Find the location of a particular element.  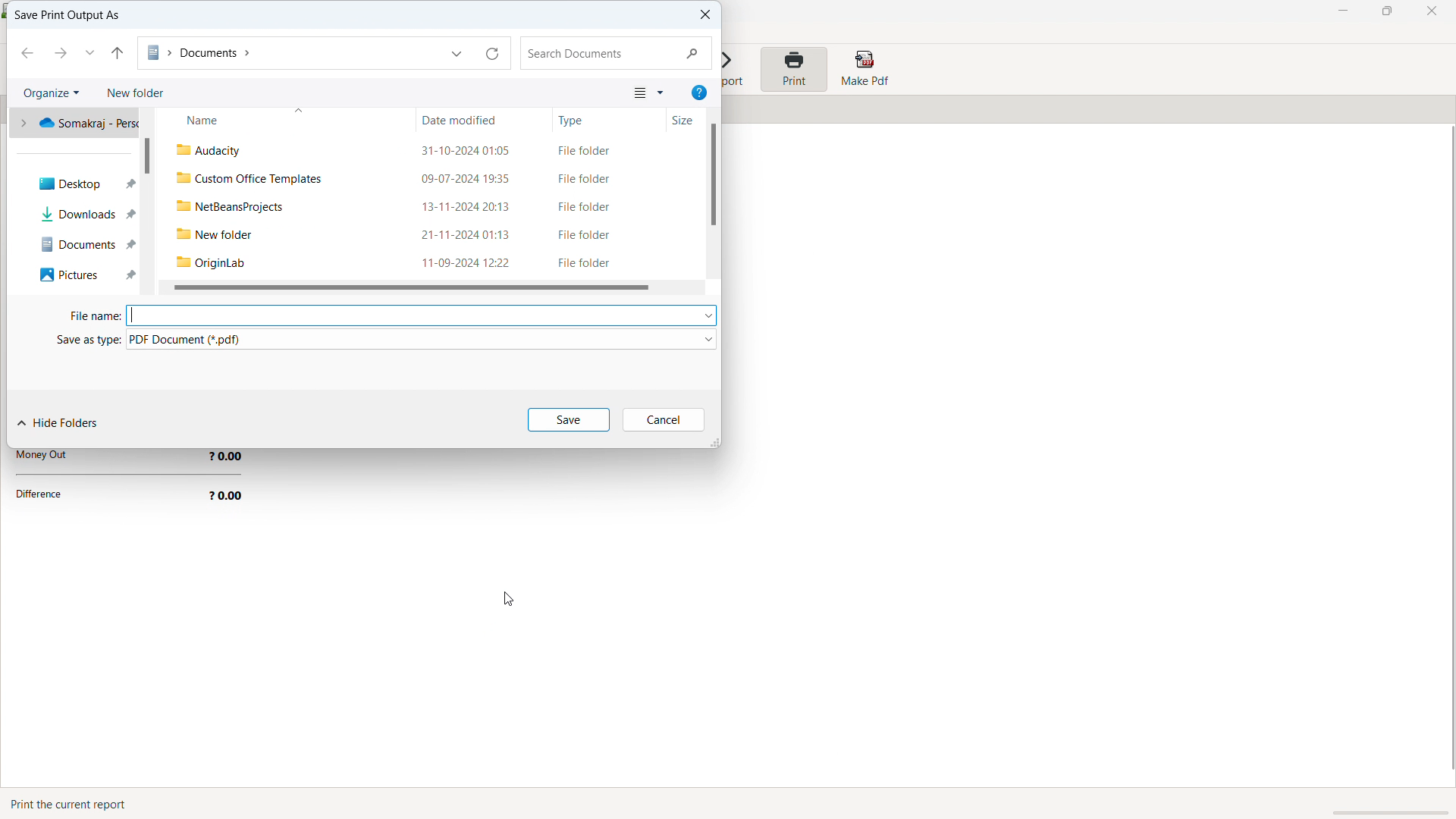

Desktop is located at coordinates (80, 186).